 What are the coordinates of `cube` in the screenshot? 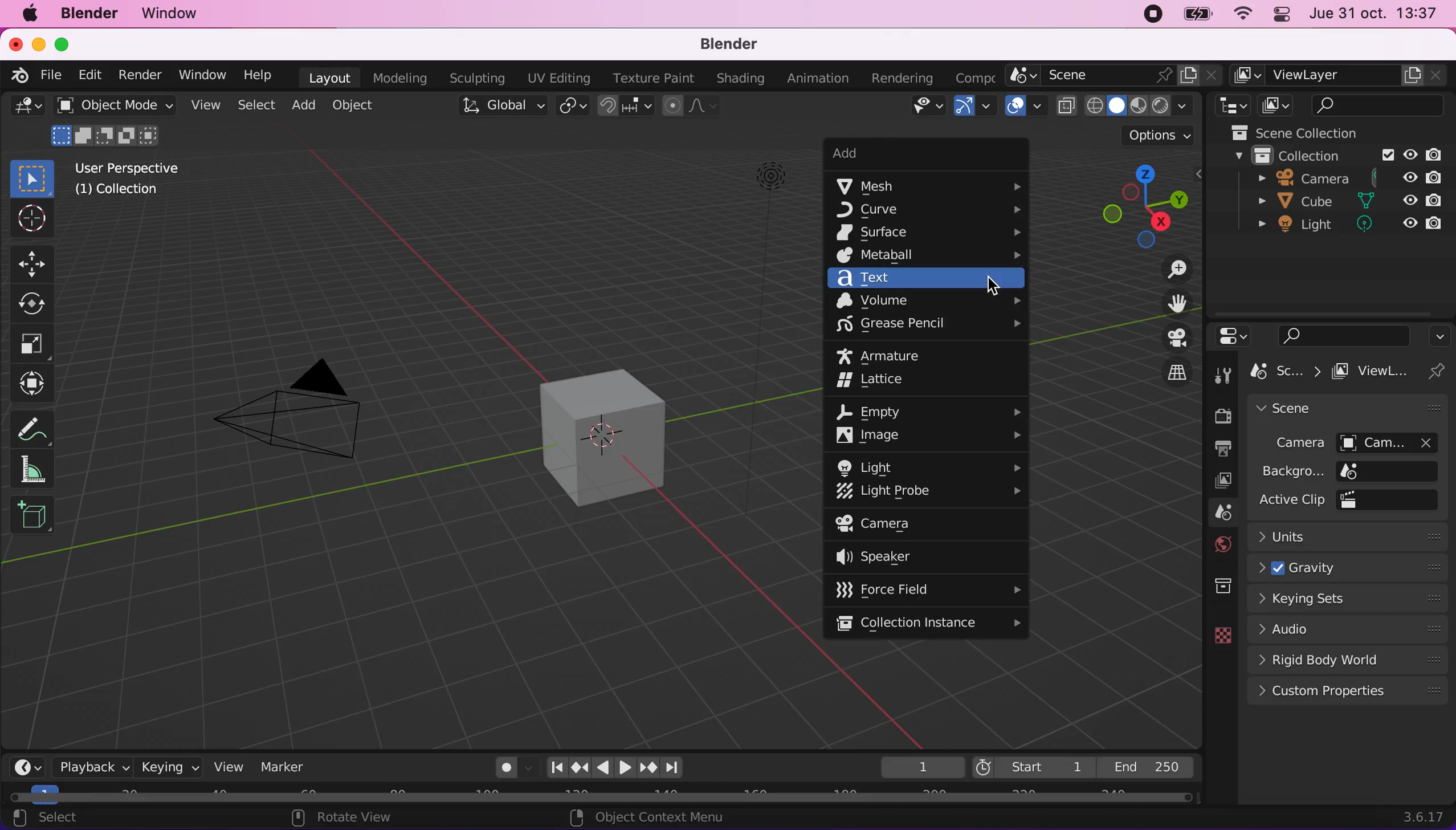 It's located at (596, 435).